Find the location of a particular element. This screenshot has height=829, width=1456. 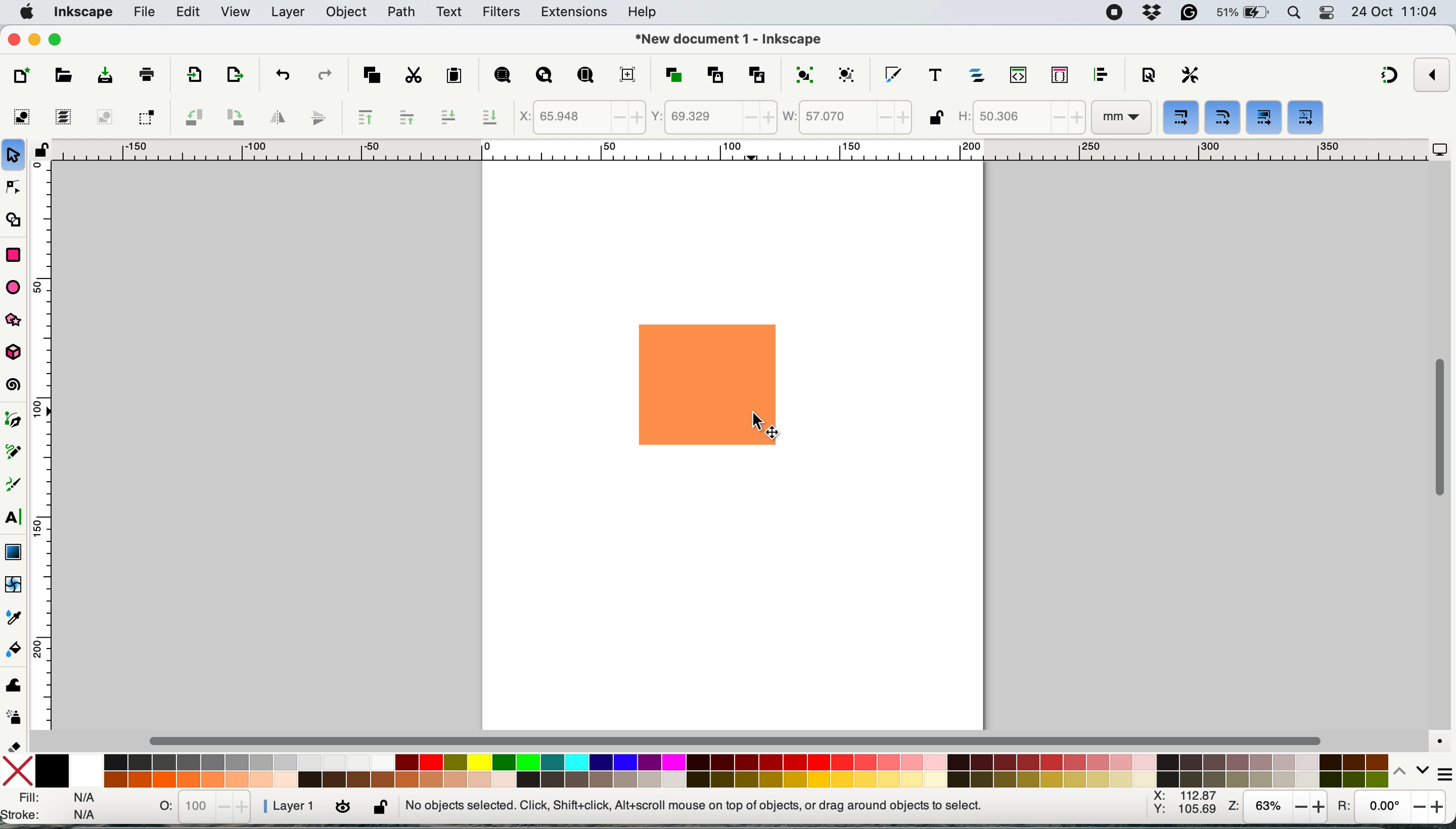

create clone is located at coordinates (713, 75).